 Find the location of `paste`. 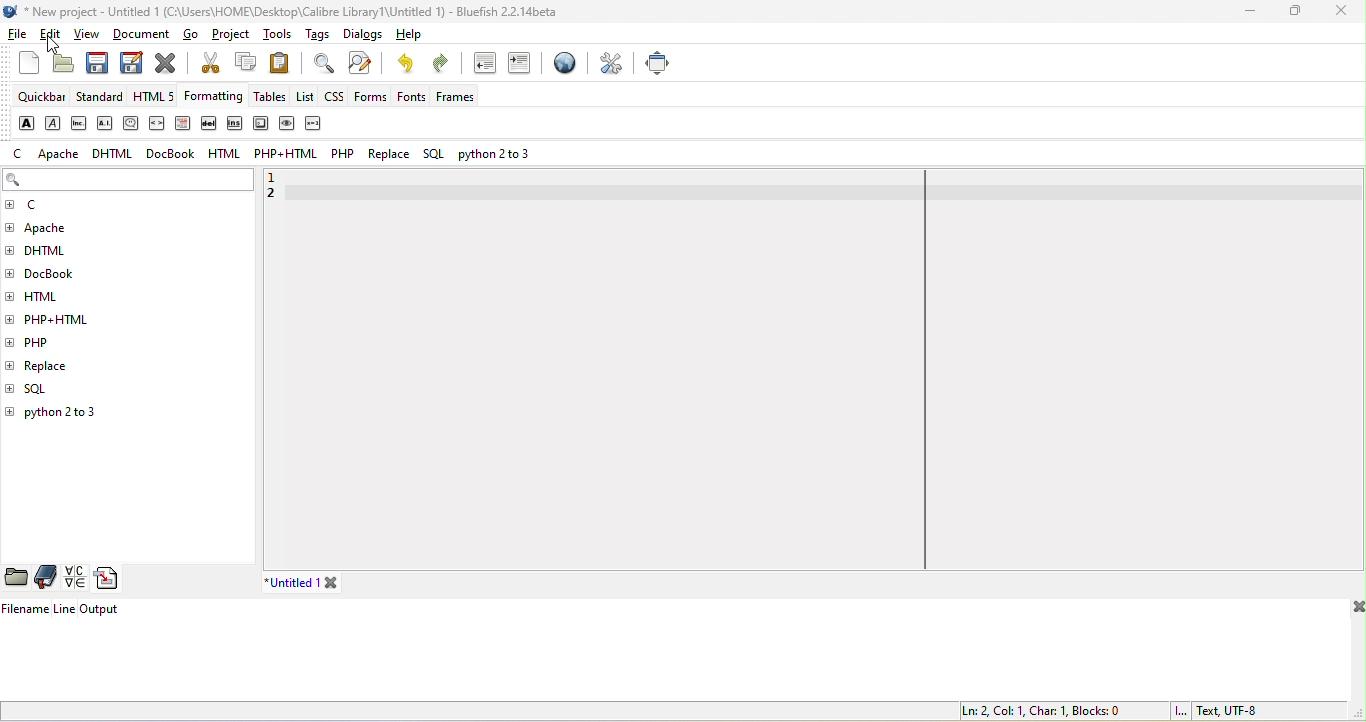

paste is located at coordinates (284, 67).